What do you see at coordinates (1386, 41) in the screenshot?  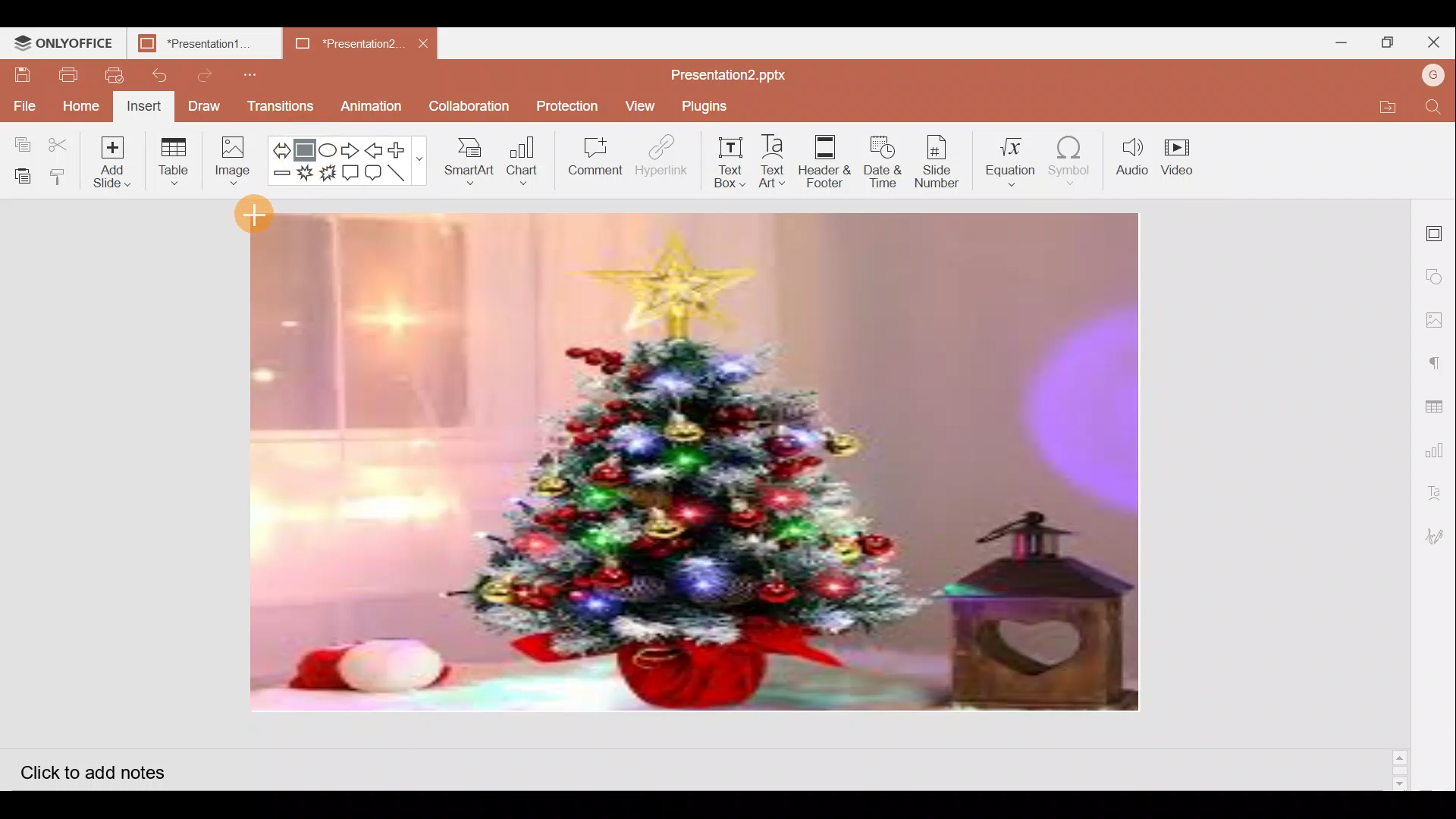 I see `Maximize` at bounding box center [1386, 41].